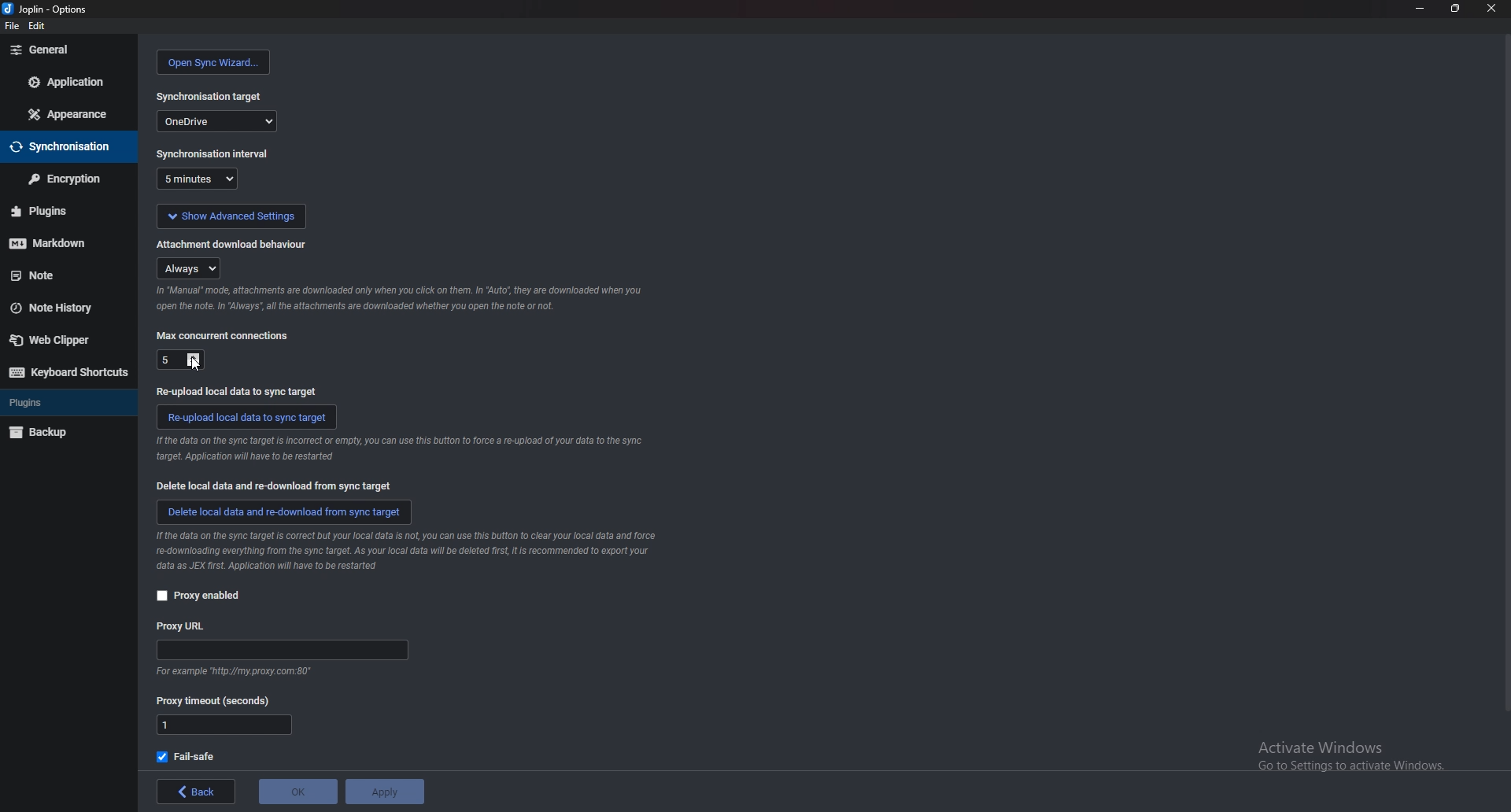 The height and width of the screenshot is (812, 1511). Describe the element at coordinates (65, 308) in the screenshot. I see `notehistory` at that location.